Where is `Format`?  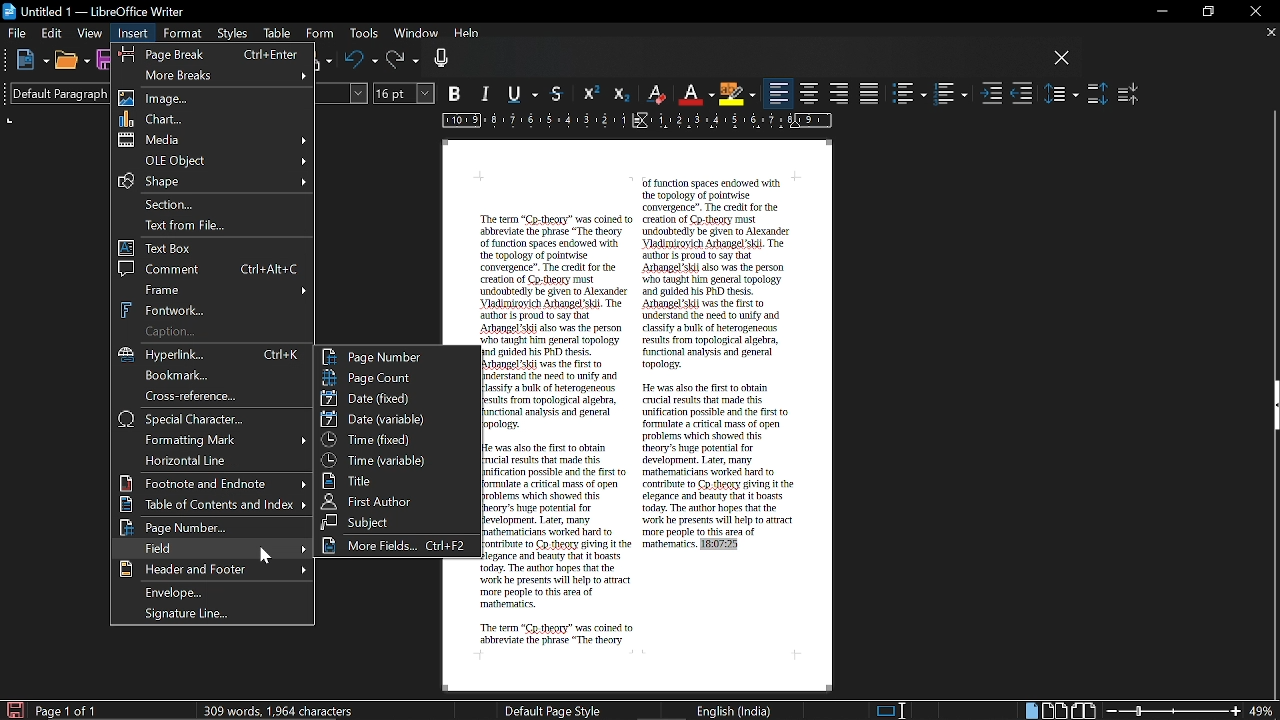
Format is located at coordinates (182, 34).